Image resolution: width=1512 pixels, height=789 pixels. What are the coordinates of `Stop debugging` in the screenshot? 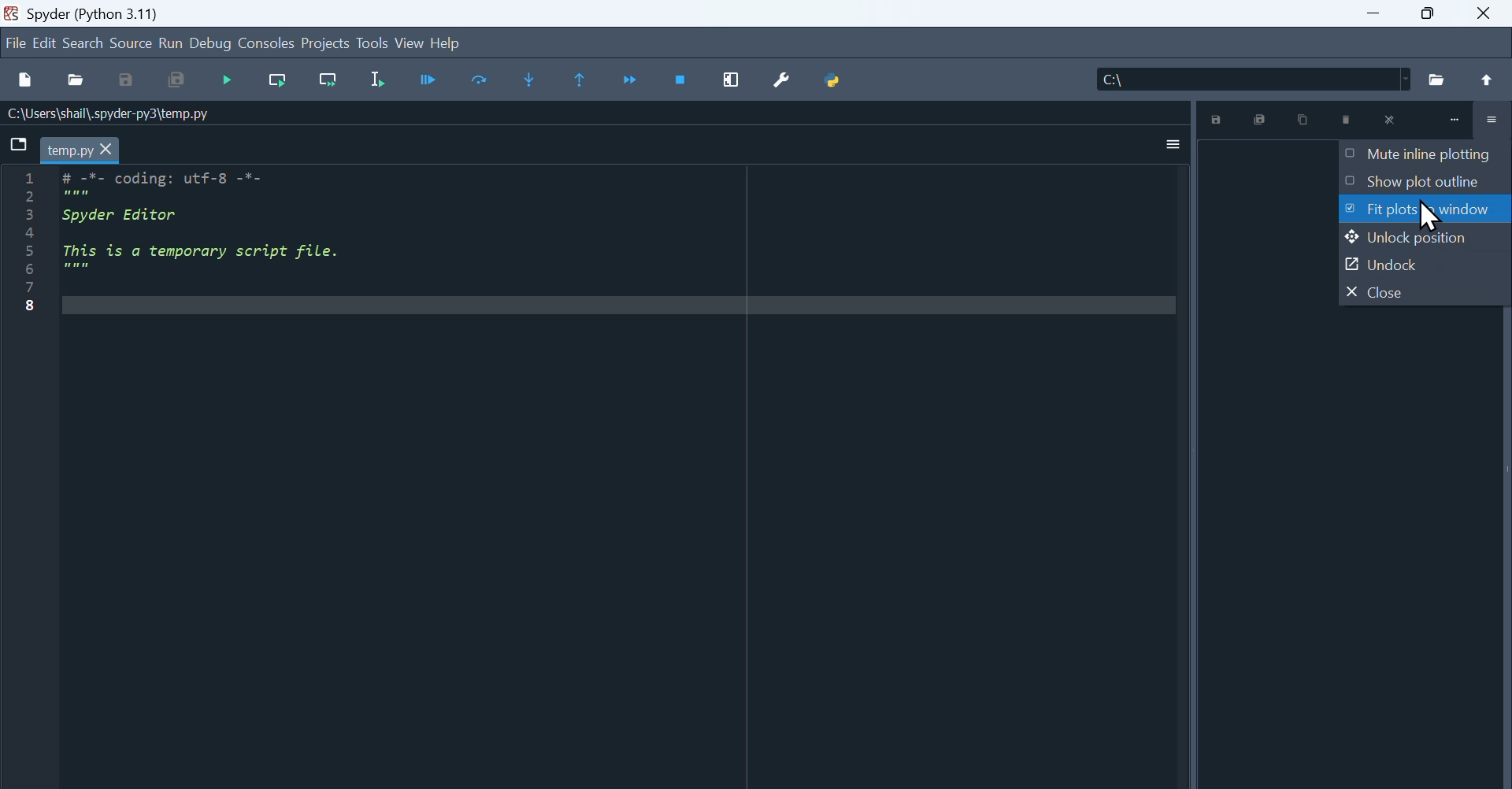 It's located at (227, 81).